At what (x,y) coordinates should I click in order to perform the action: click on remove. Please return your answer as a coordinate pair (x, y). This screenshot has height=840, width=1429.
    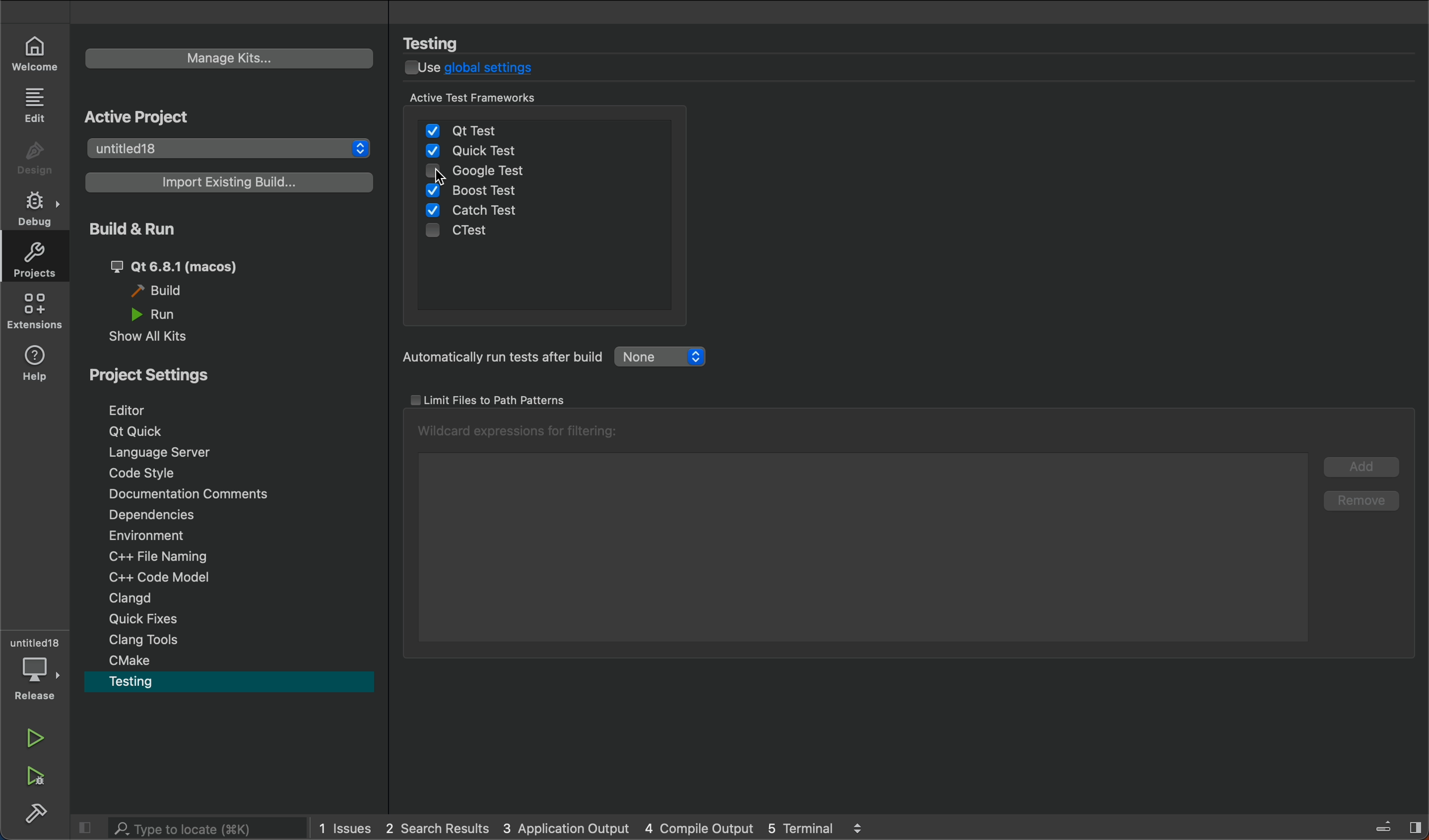
    Looking at the image, I should click on (1358, 504).